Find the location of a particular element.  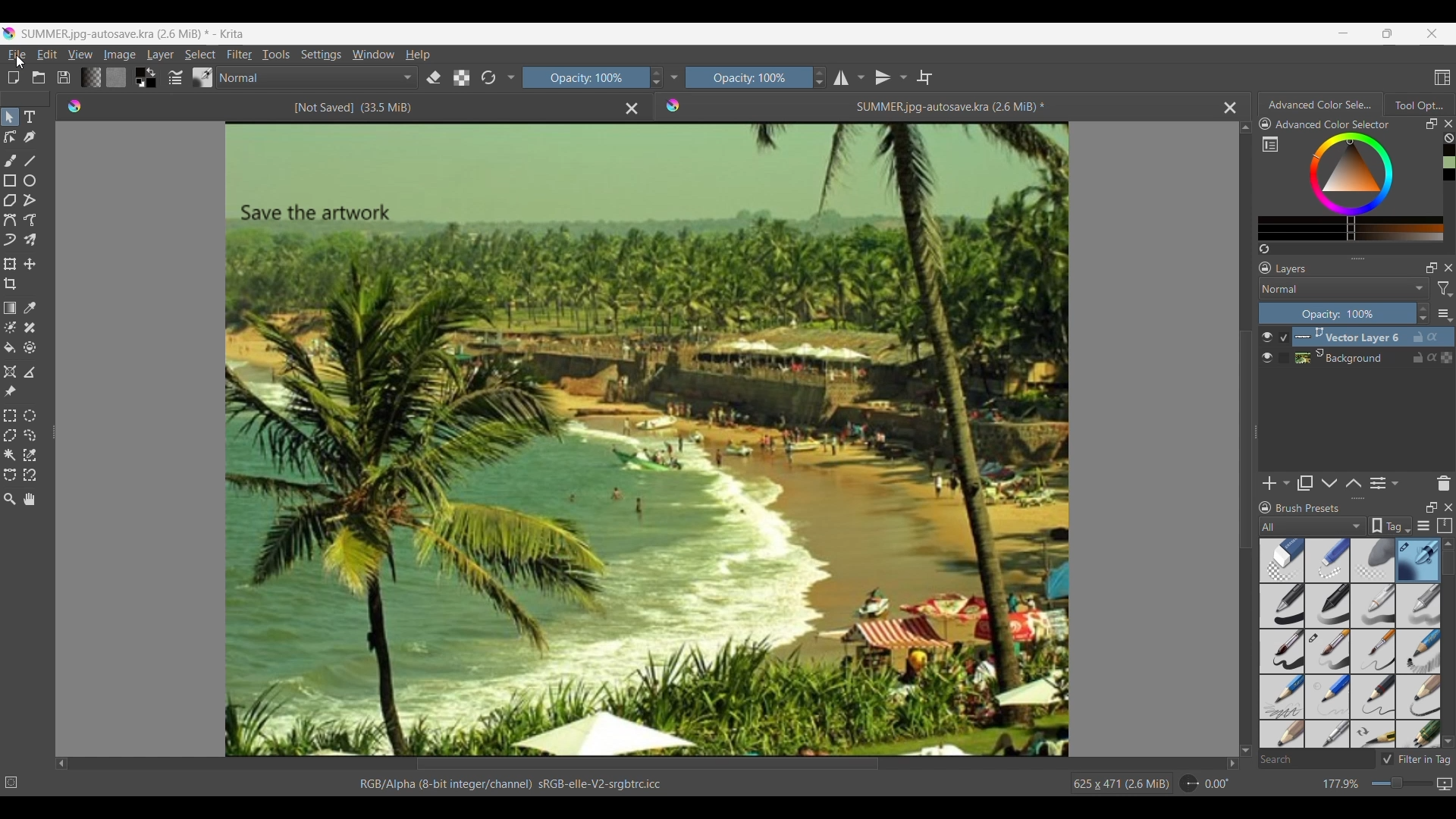

Dynamic brush tool is located at coordinates (10, 240).